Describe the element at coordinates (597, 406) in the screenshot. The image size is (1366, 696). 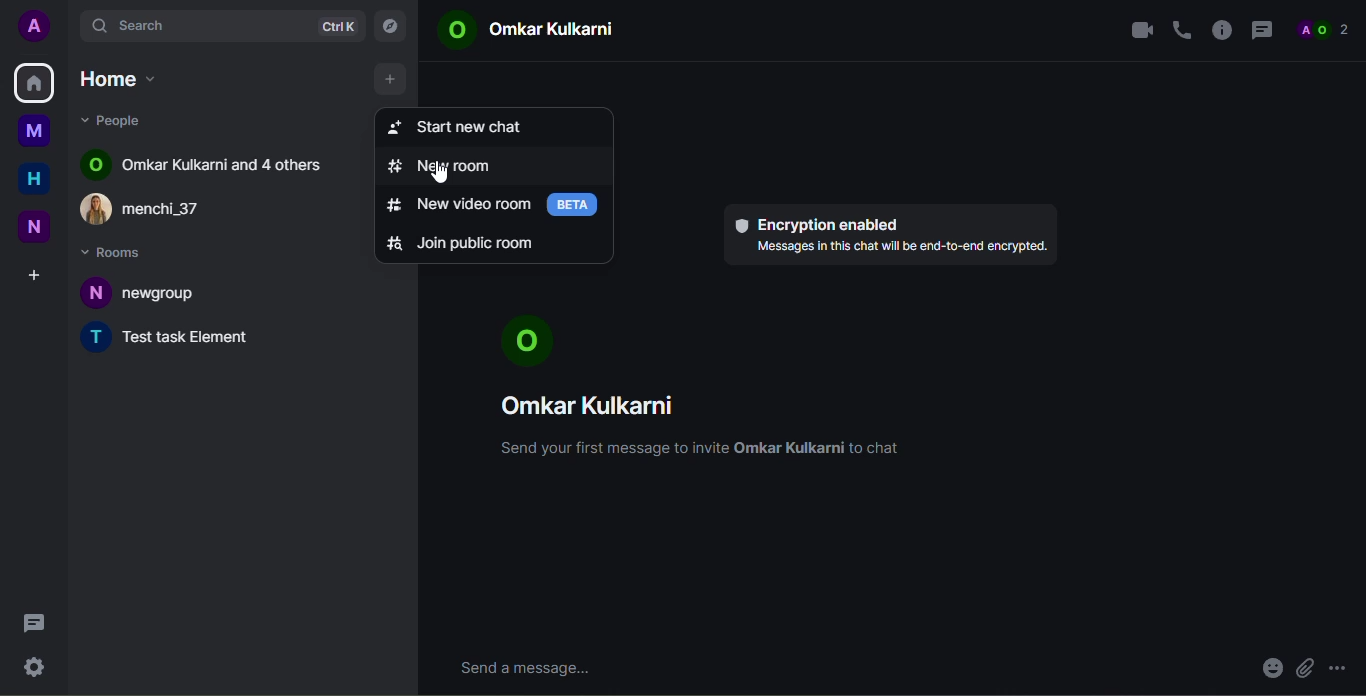
I see `Omkar Kulkarni` at that location.